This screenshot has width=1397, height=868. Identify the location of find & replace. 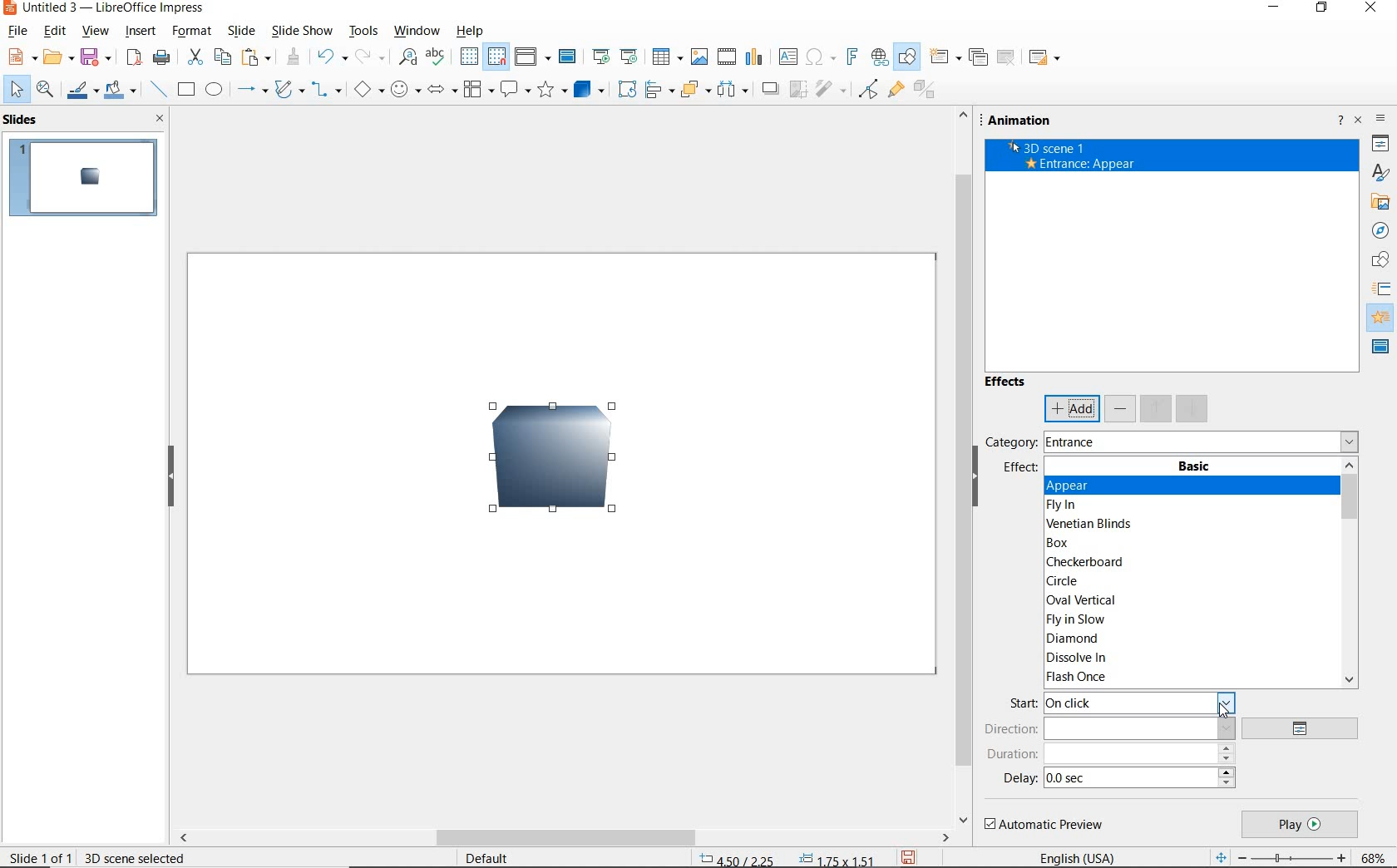
(407, 57).